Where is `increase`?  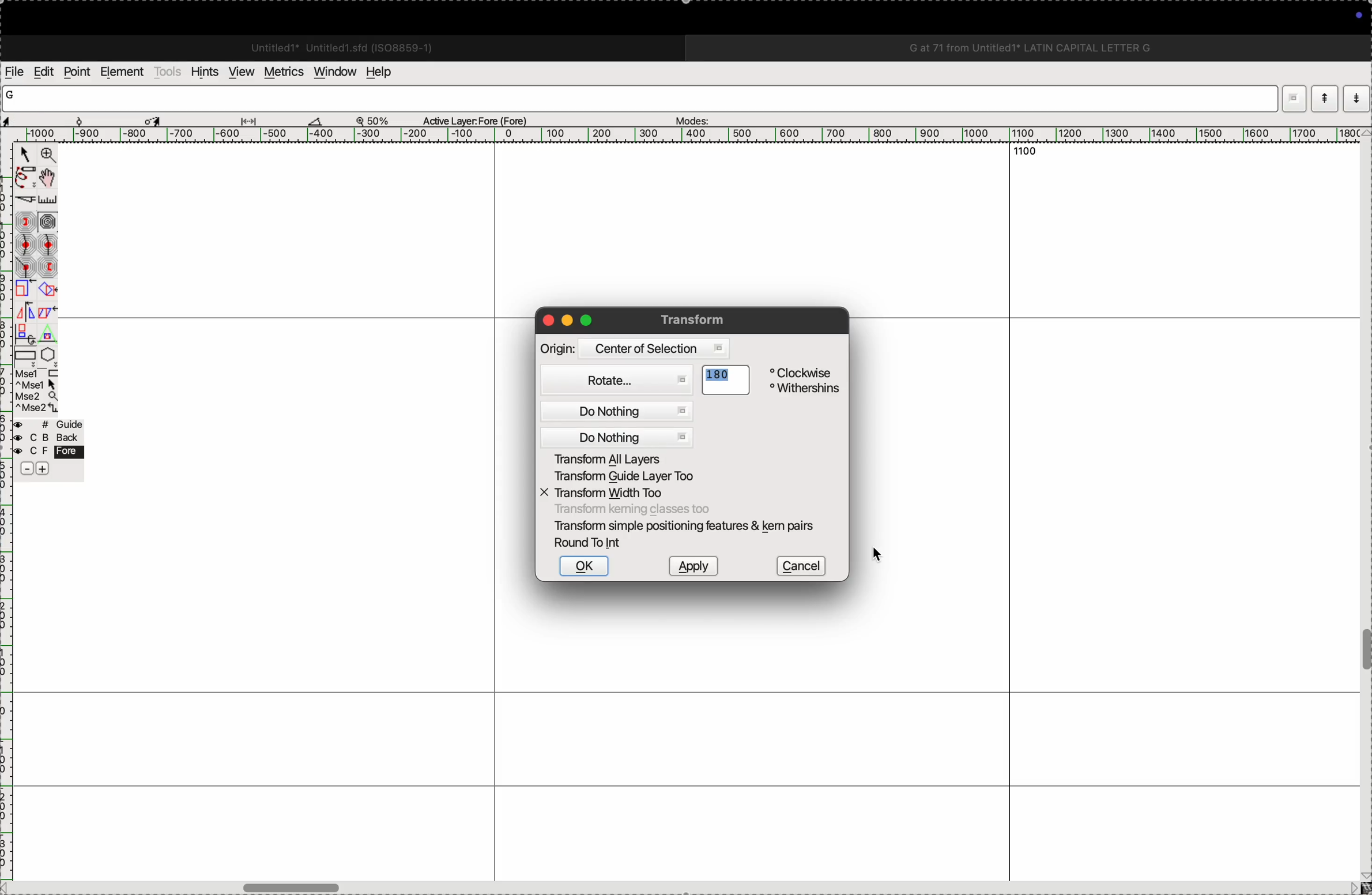
increase is located at coordinates (43, 468).